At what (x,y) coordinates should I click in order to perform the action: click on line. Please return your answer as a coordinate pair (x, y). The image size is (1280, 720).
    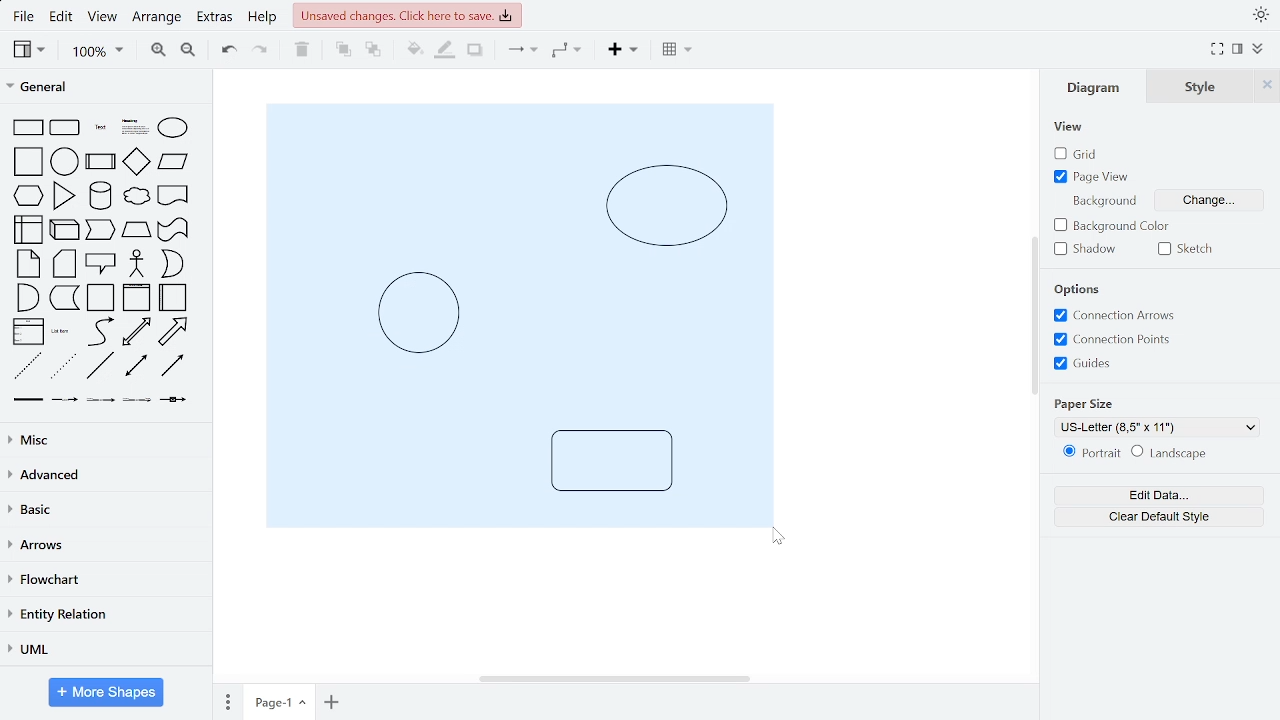
    Looking at the image, I should click on (101, 366).